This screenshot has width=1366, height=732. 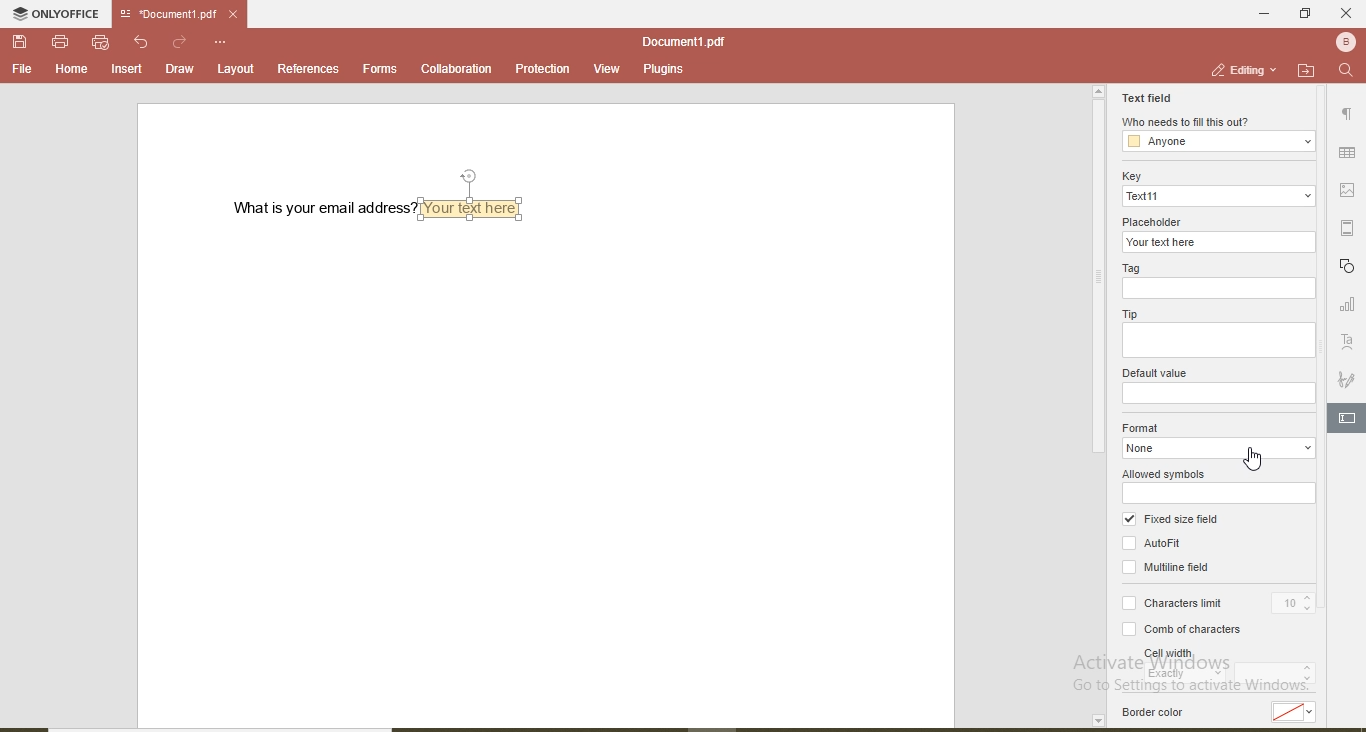 I want to click on vertical scroll bar, so click(x=1096, y=280).